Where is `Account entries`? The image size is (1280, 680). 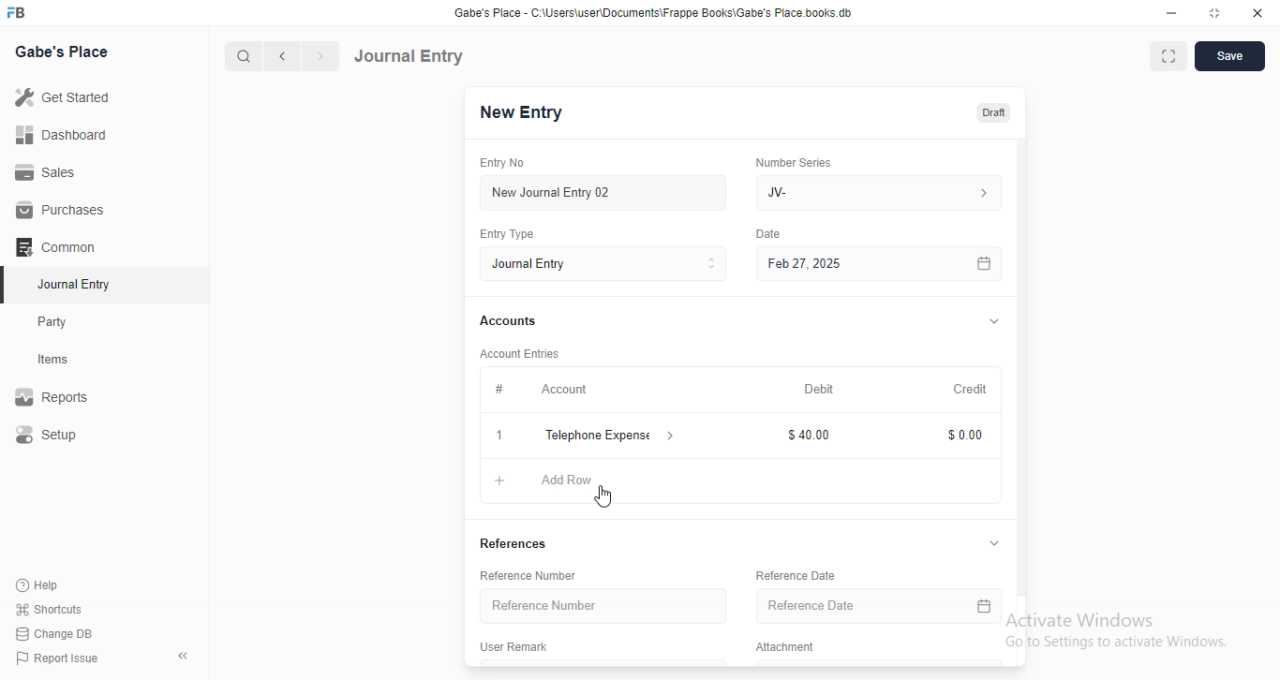
Account entries is located at coordinates (519, 353).